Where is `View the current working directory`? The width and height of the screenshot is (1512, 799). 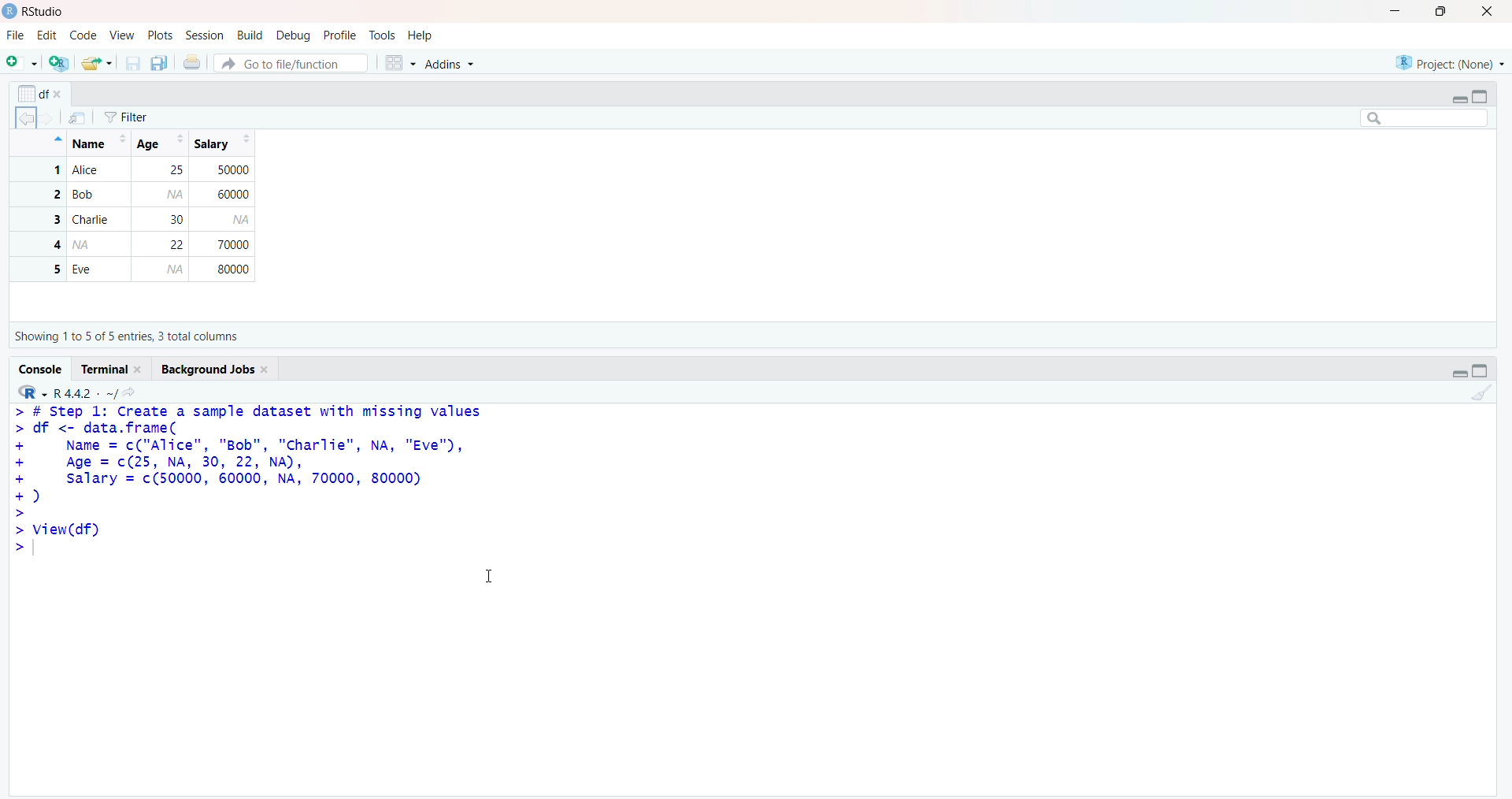 View the current working directory is located at coordinates (132, 392).